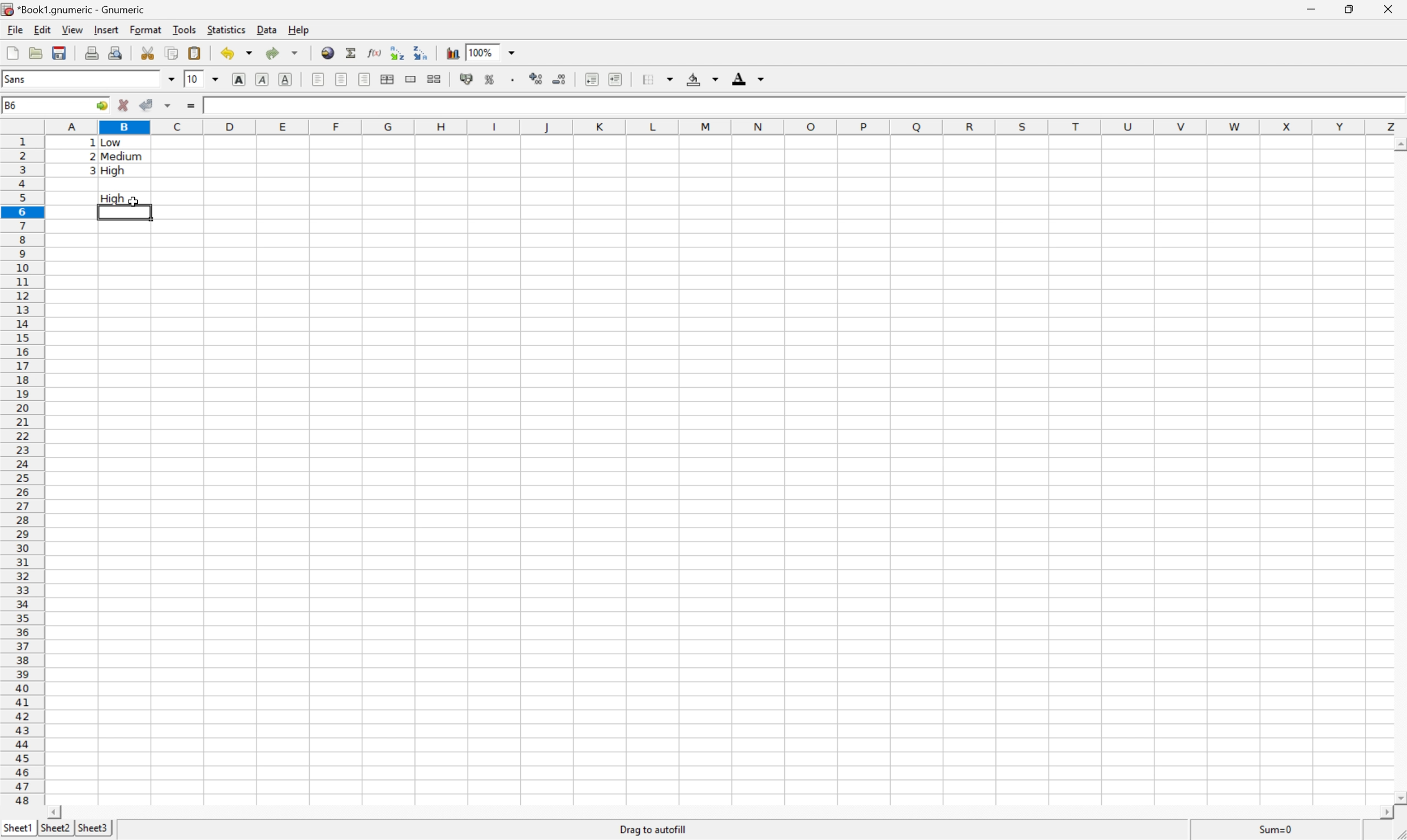  What do you see at coordinates (41, 28) in the screenshot?
I see `Edit` at bounding box center [41, 28].